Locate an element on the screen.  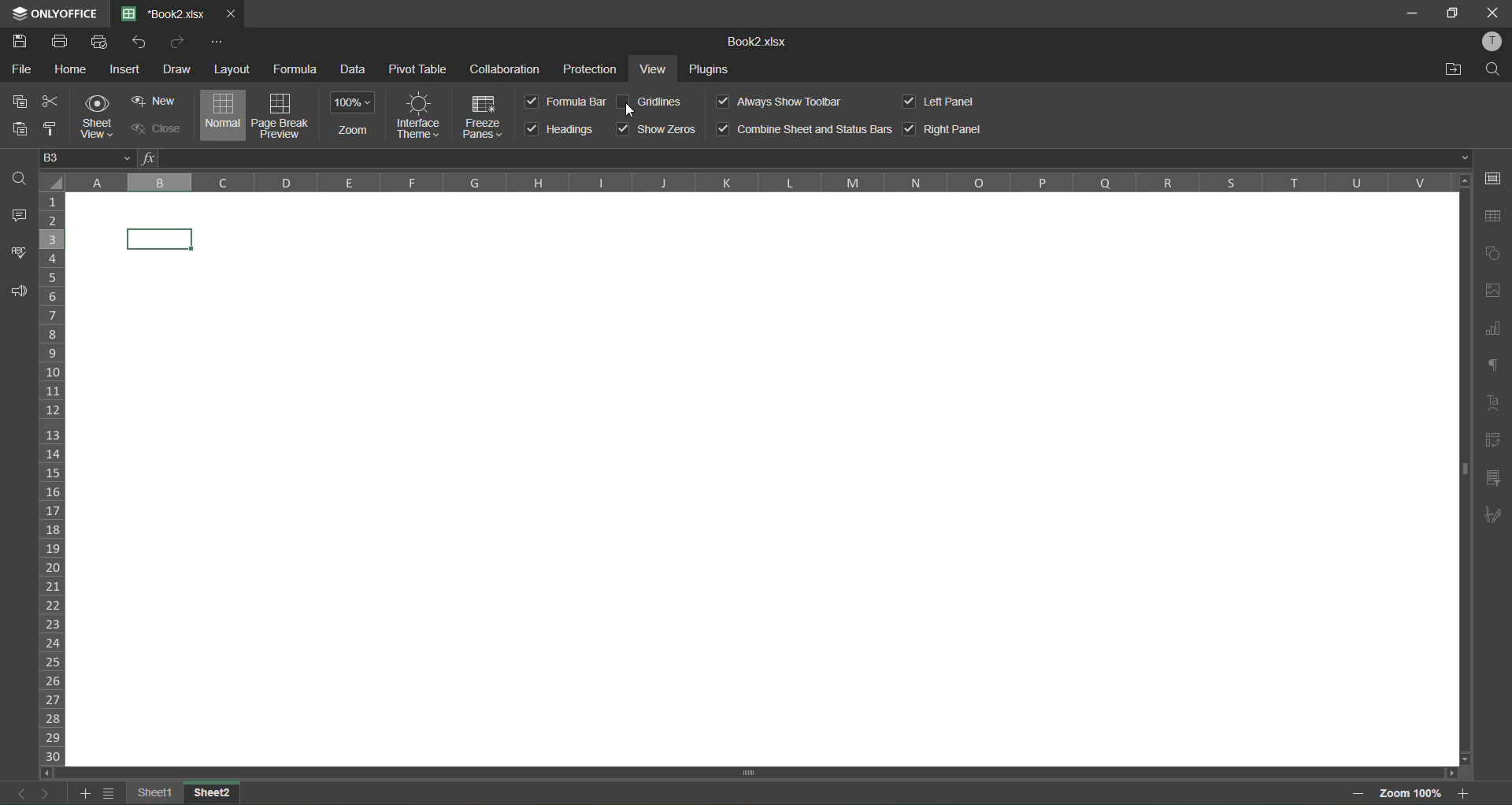
layout is located at coordinates (233, 69).